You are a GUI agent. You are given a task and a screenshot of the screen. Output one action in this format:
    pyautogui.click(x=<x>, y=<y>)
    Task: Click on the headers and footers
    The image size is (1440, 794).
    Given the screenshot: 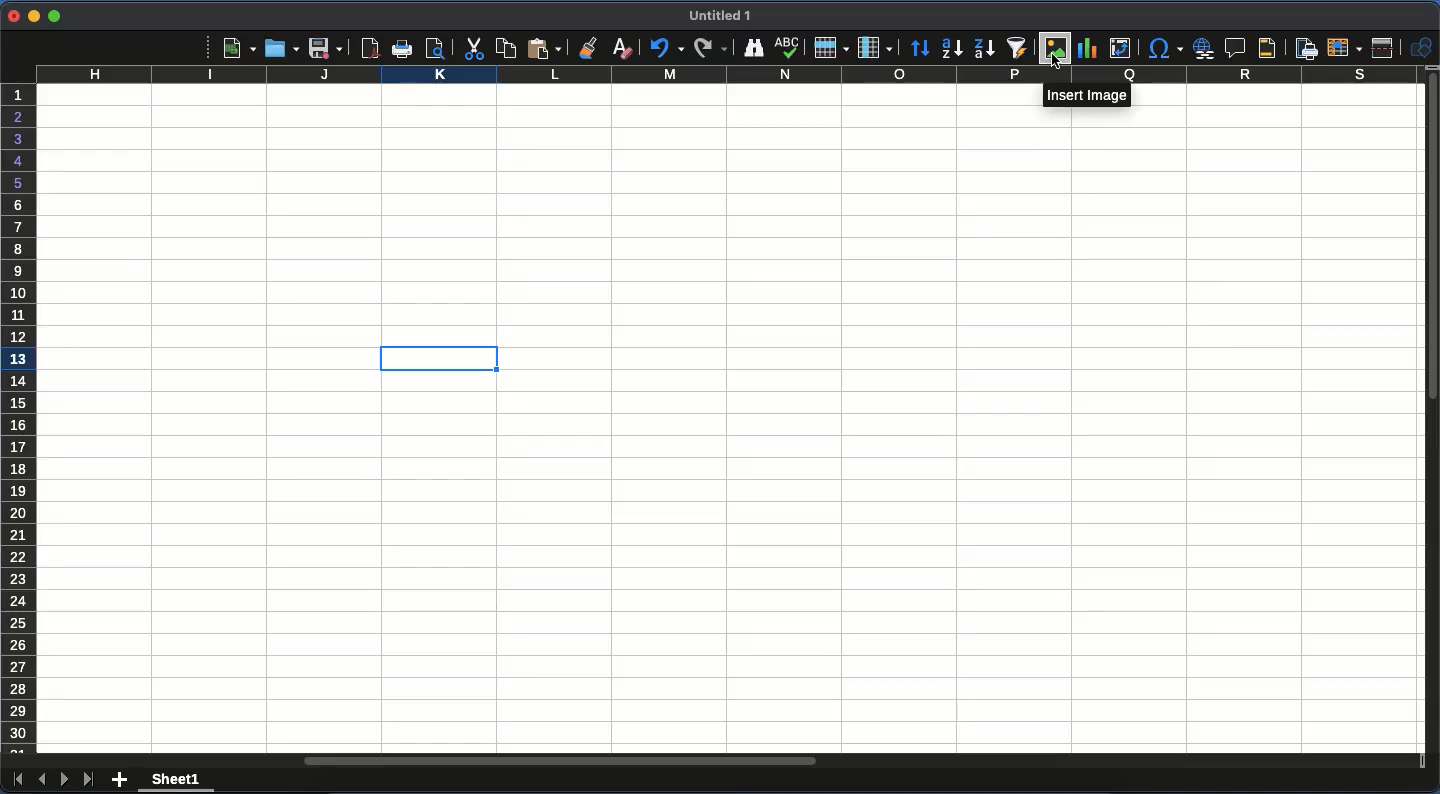 What is the action you would take?
    pyautogui.click(x=1263, y=47)
    